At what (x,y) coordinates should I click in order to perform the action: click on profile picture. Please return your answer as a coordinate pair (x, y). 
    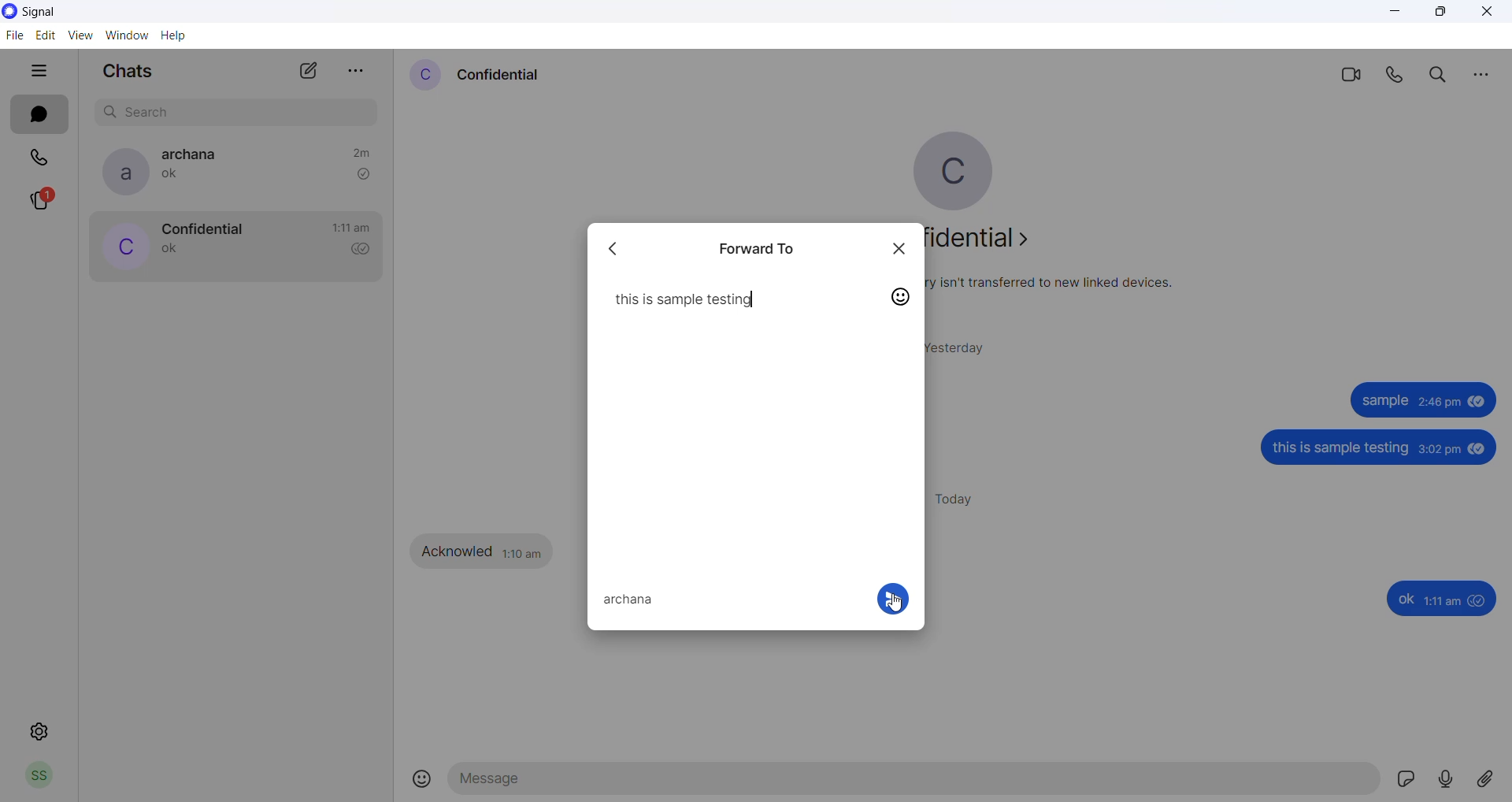
    Looking at the image, I should click on (122, 248).